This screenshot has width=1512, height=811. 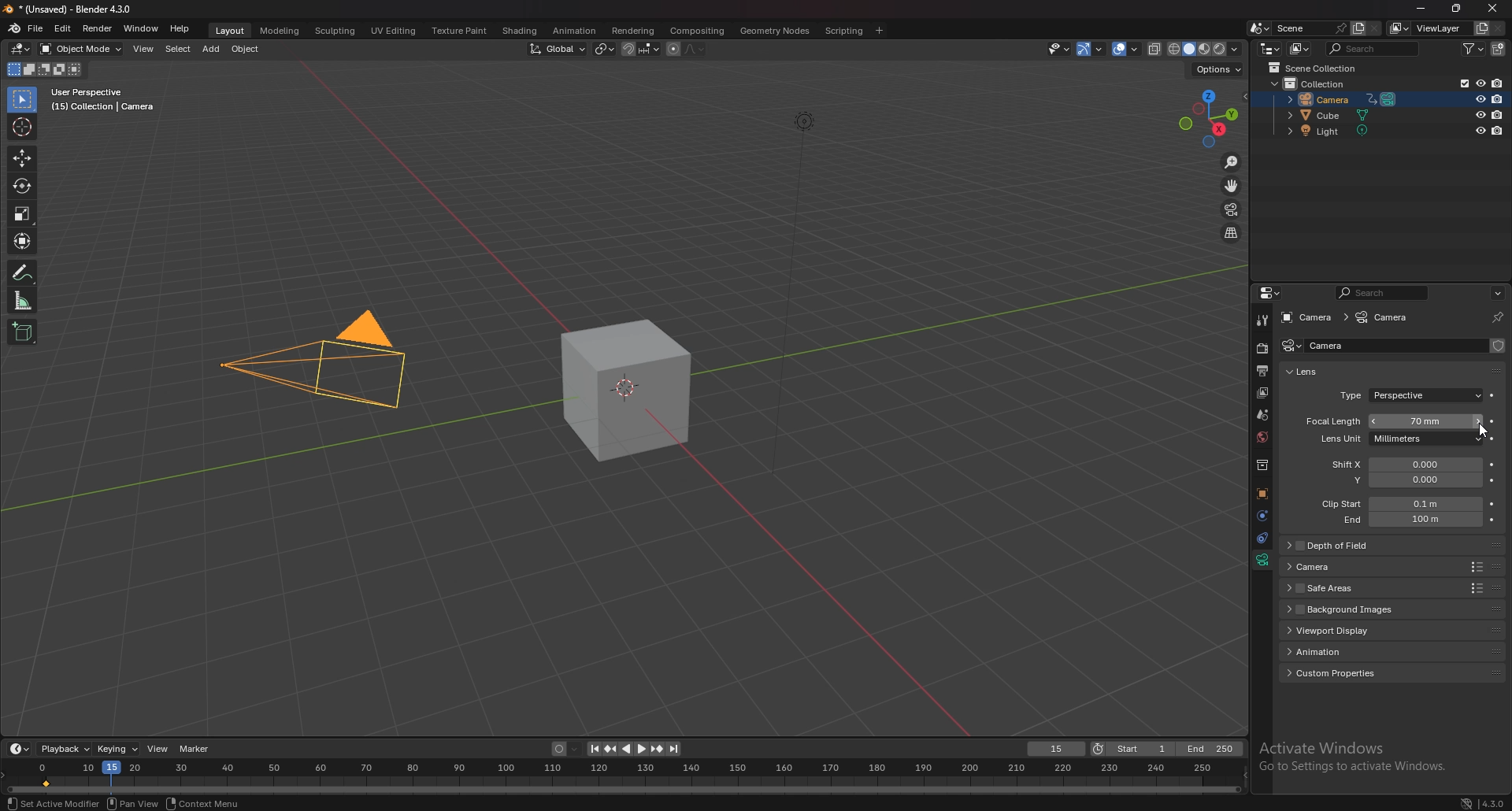 I want to click on fake user, so click(x=1498, y=345).